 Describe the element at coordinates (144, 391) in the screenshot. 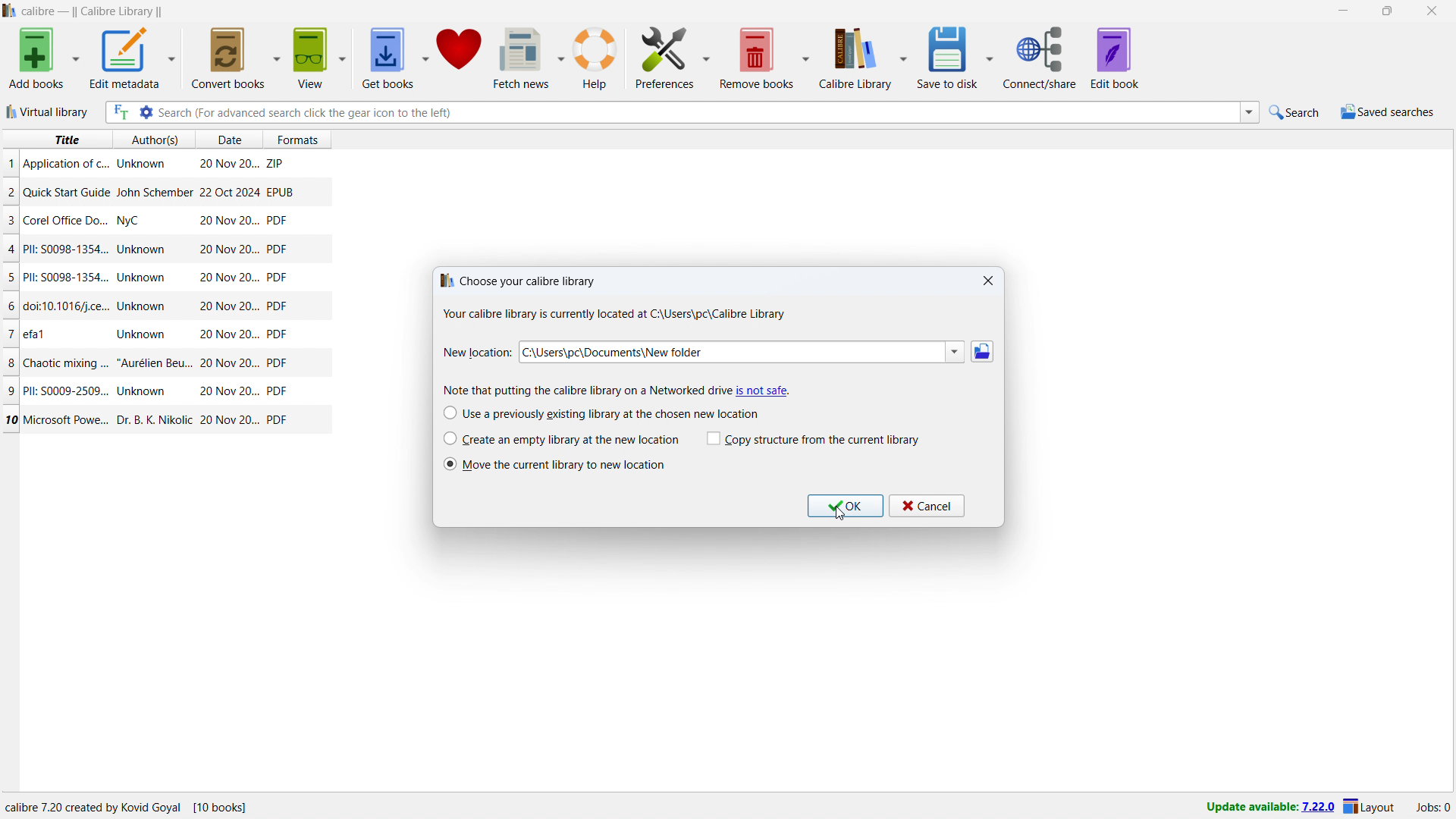

I see `Author` at that location.